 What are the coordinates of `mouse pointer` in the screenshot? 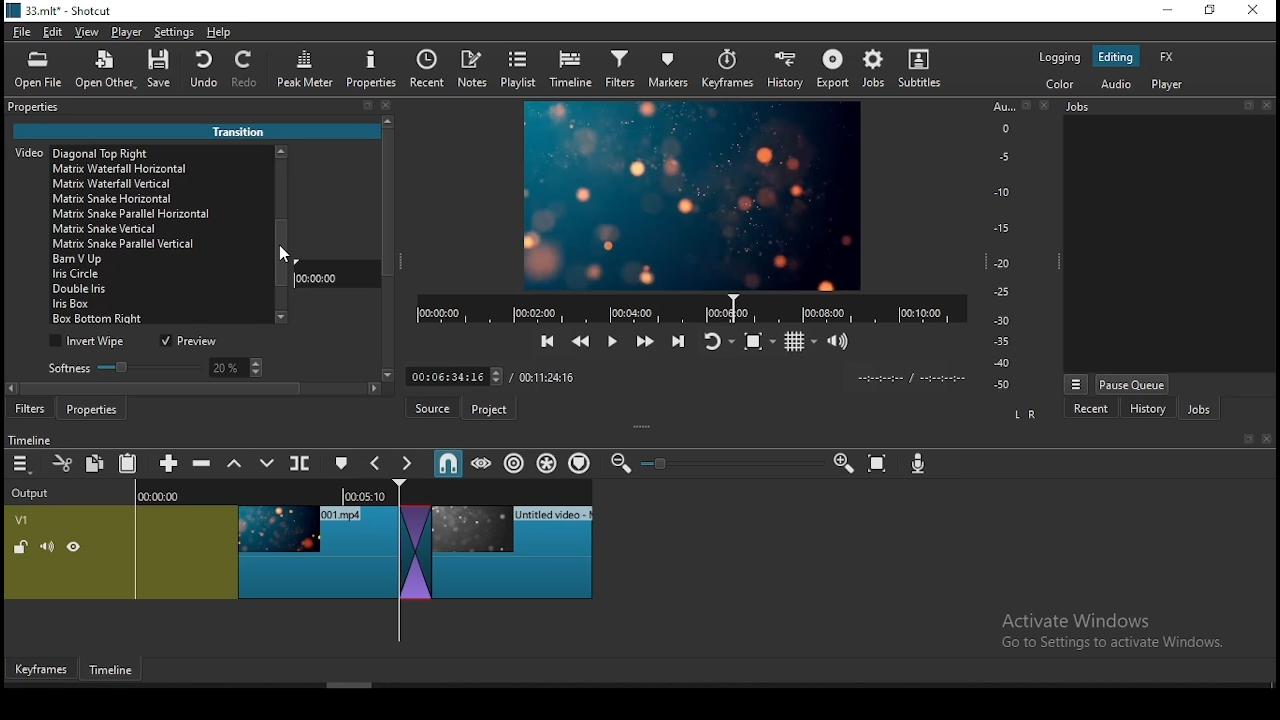 It's located at (285, 253).